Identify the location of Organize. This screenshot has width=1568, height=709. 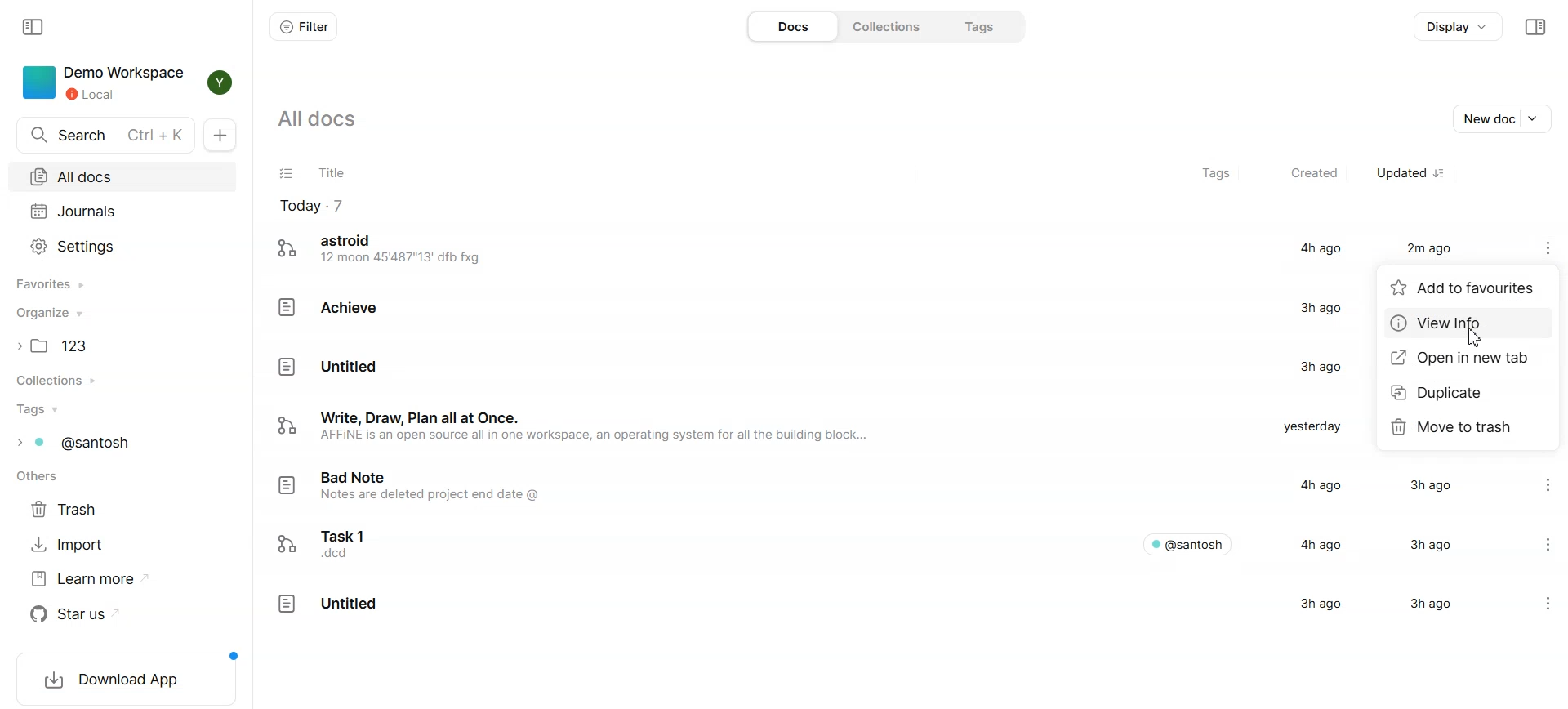
(123, 314).